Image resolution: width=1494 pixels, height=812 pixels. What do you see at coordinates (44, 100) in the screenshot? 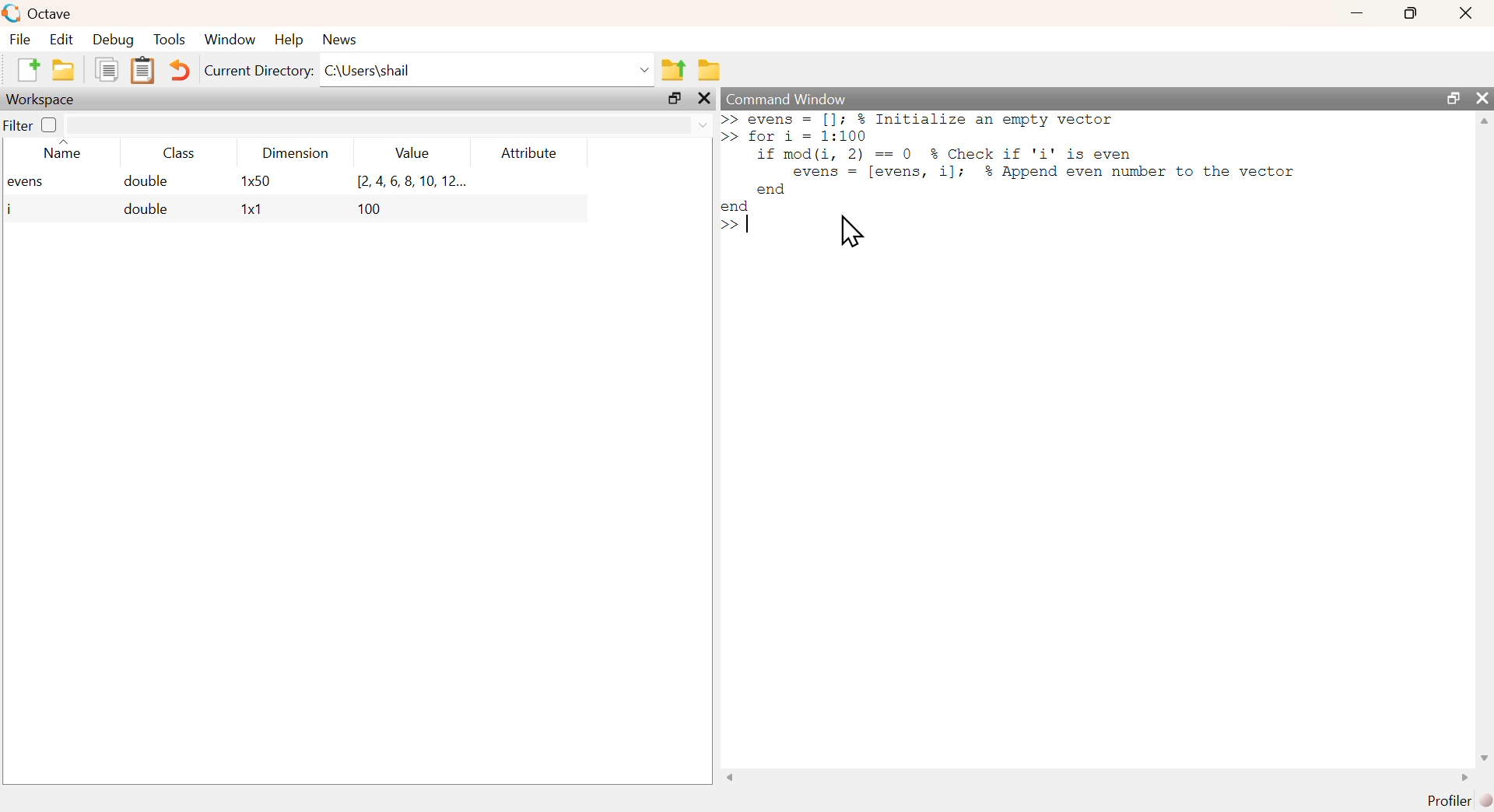
I see `workspace` at bounding box center [44, 100].